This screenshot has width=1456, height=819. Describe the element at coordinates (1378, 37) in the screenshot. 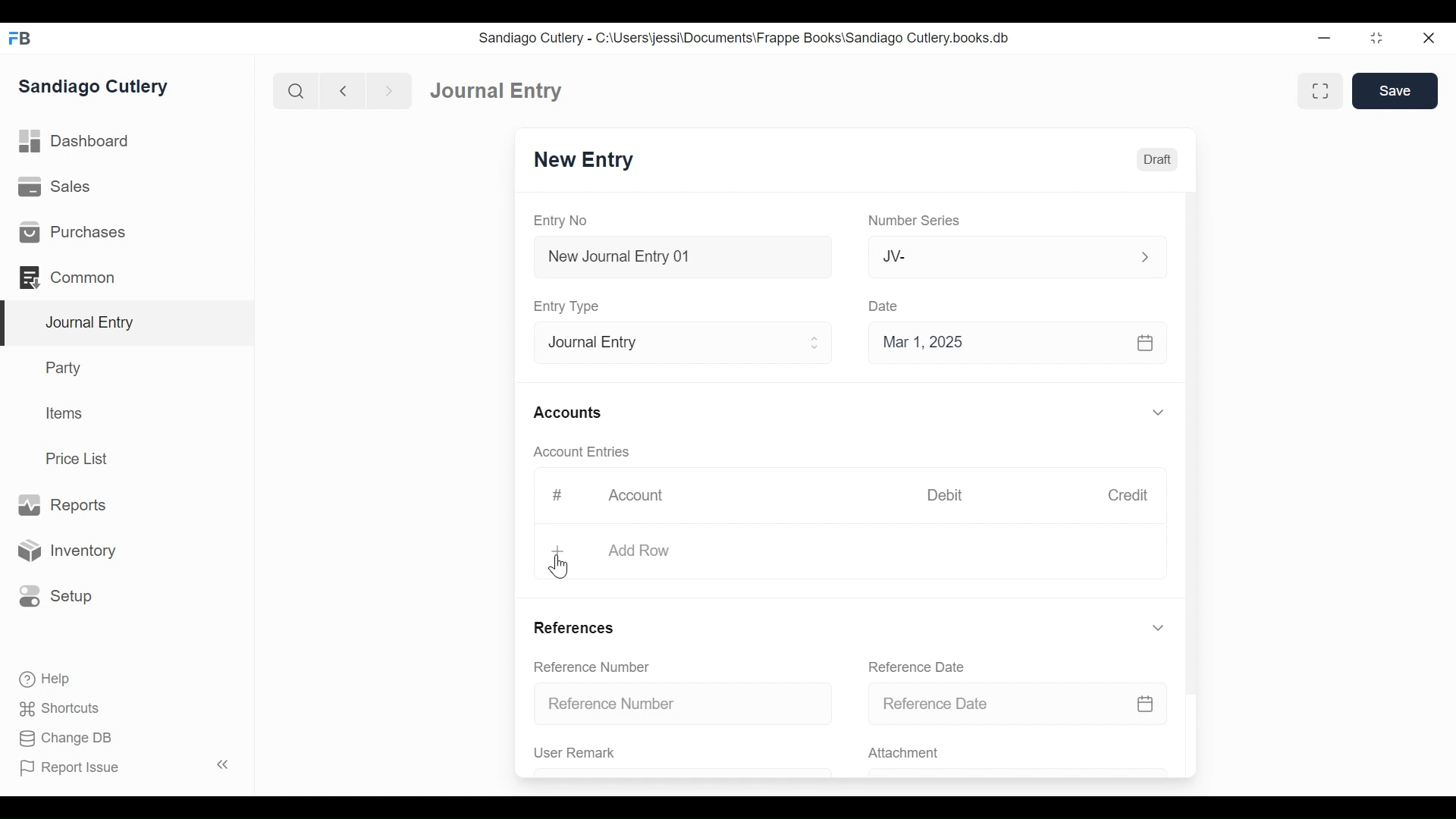

I see `minimize` at that location.